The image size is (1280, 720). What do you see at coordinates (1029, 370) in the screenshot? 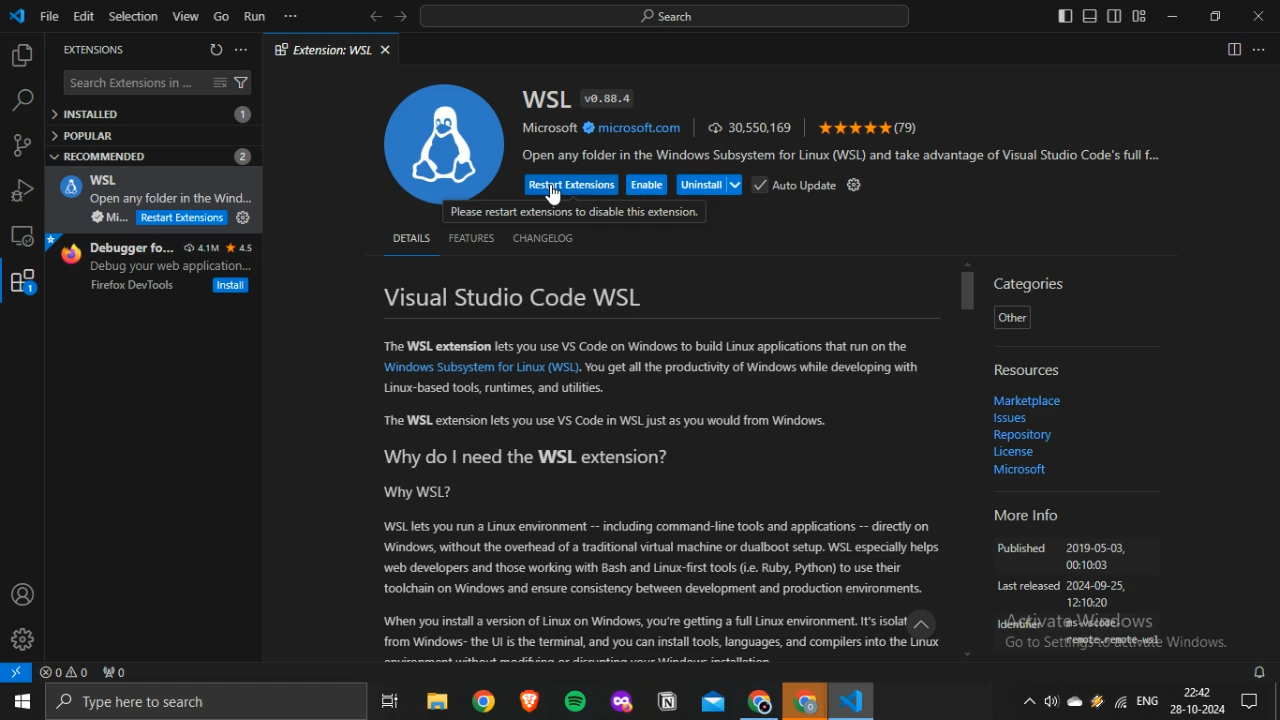
I see `Resources` at bounding box center [1029, 370].